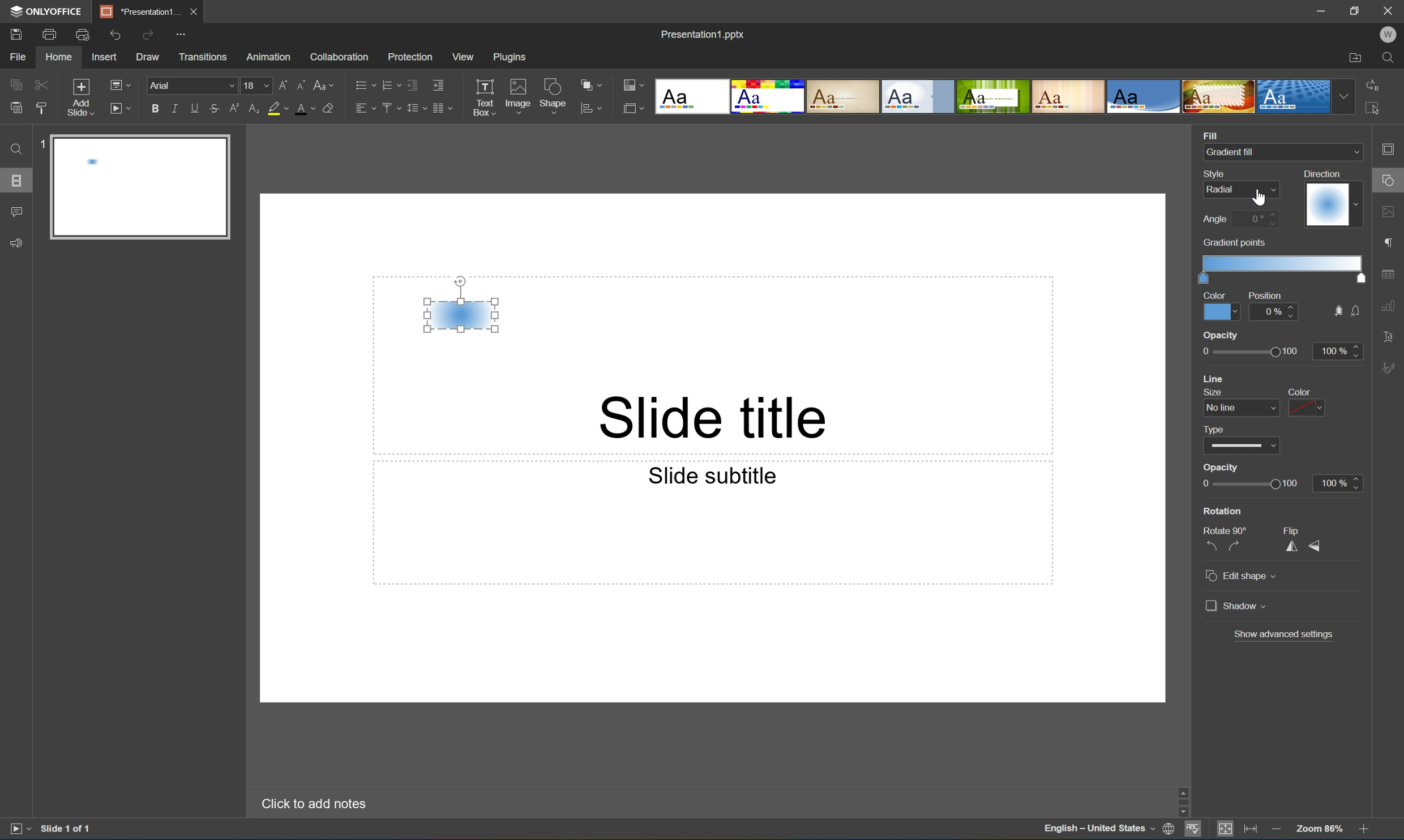 This screenshot has width=1404, height=840. Describe the element at coordinates (185, 33) in the screenshot. I see `Customize quick access toolbar` at that location.